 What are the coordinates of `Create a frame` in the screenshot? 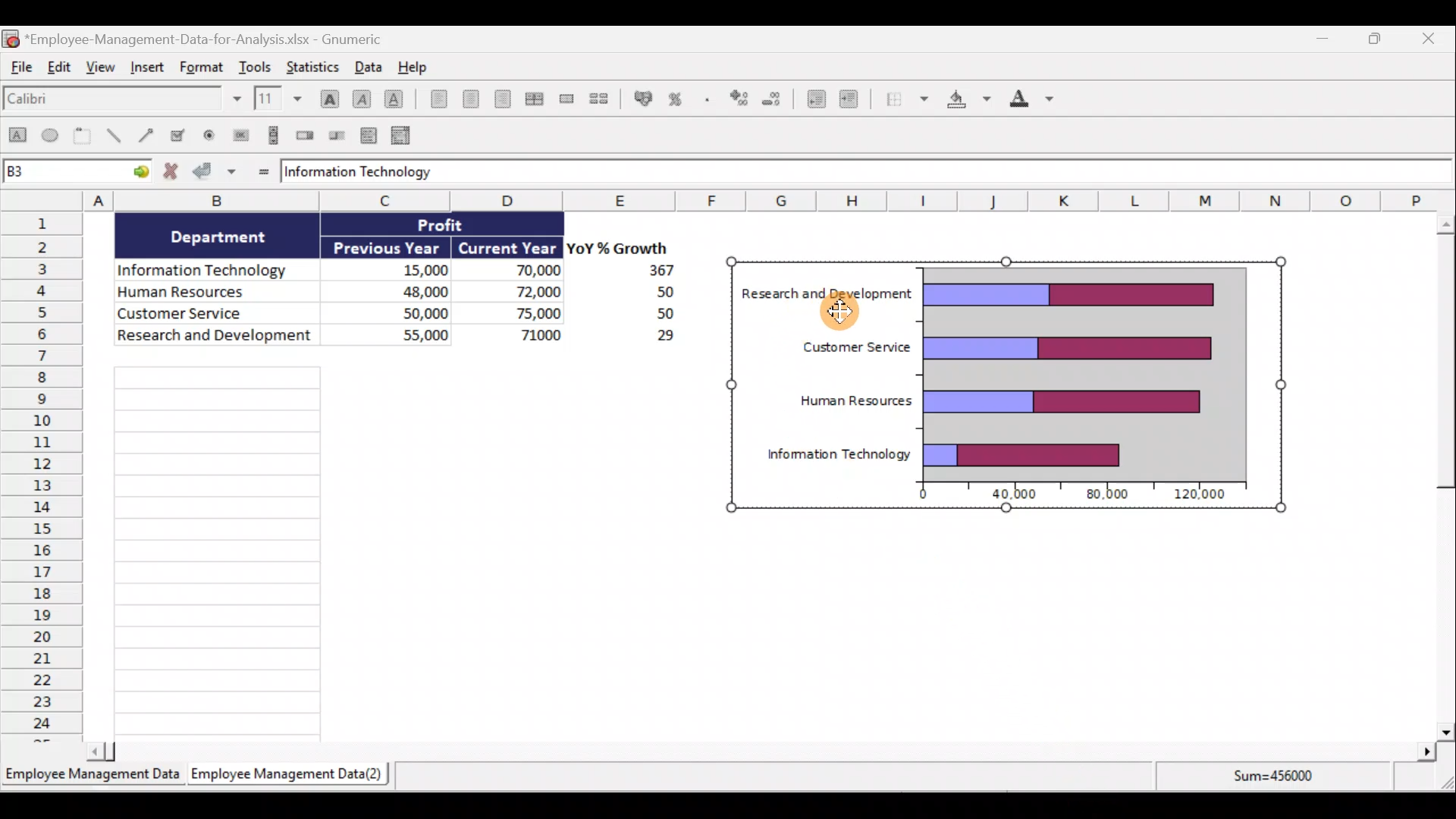 It's located at (83, 135).